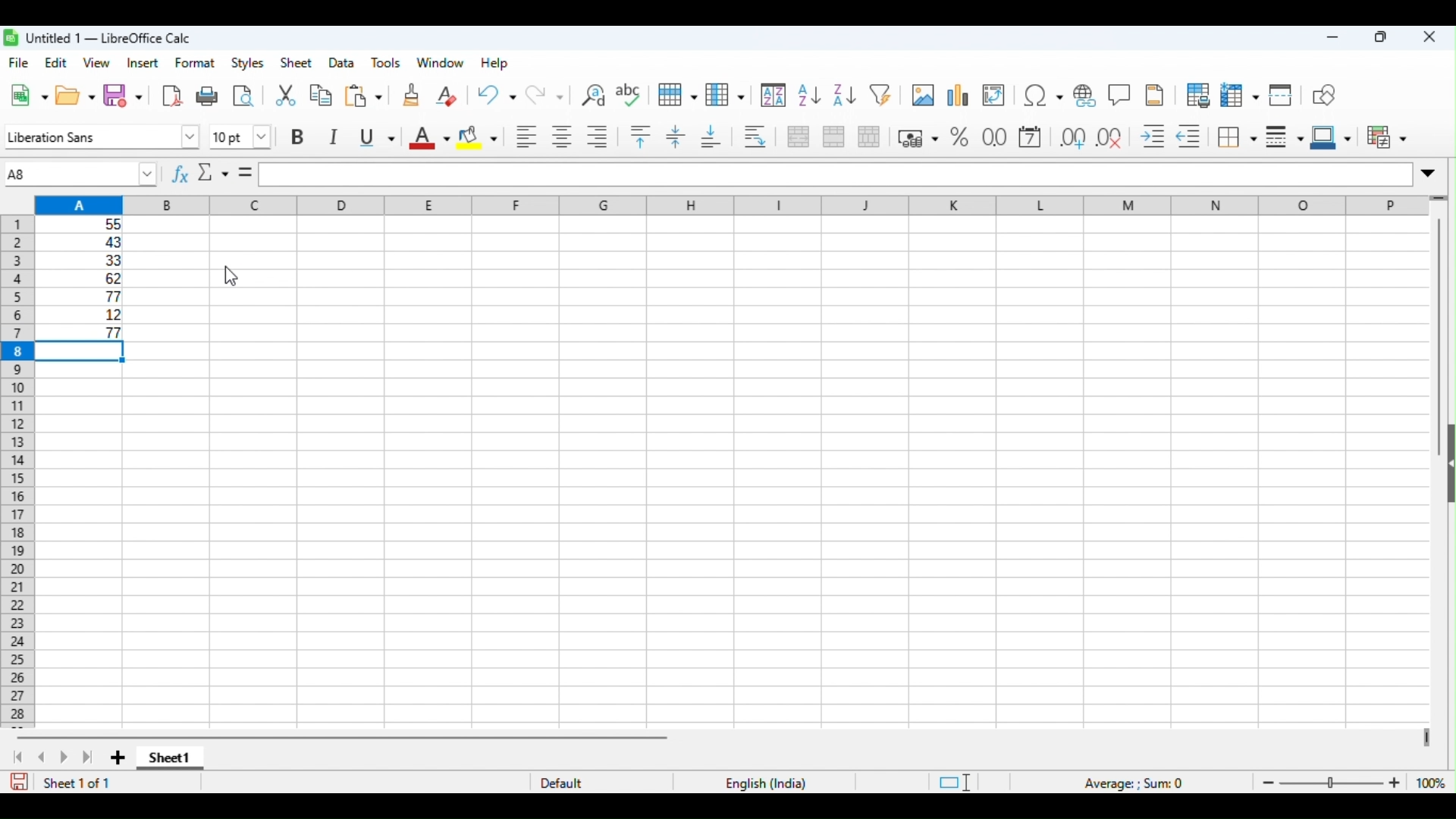 The height and width of the screenshot is (819, 1456). Describe the element at coordinates (231, 271) in the screenshot. I see `cursor movement` at that location.